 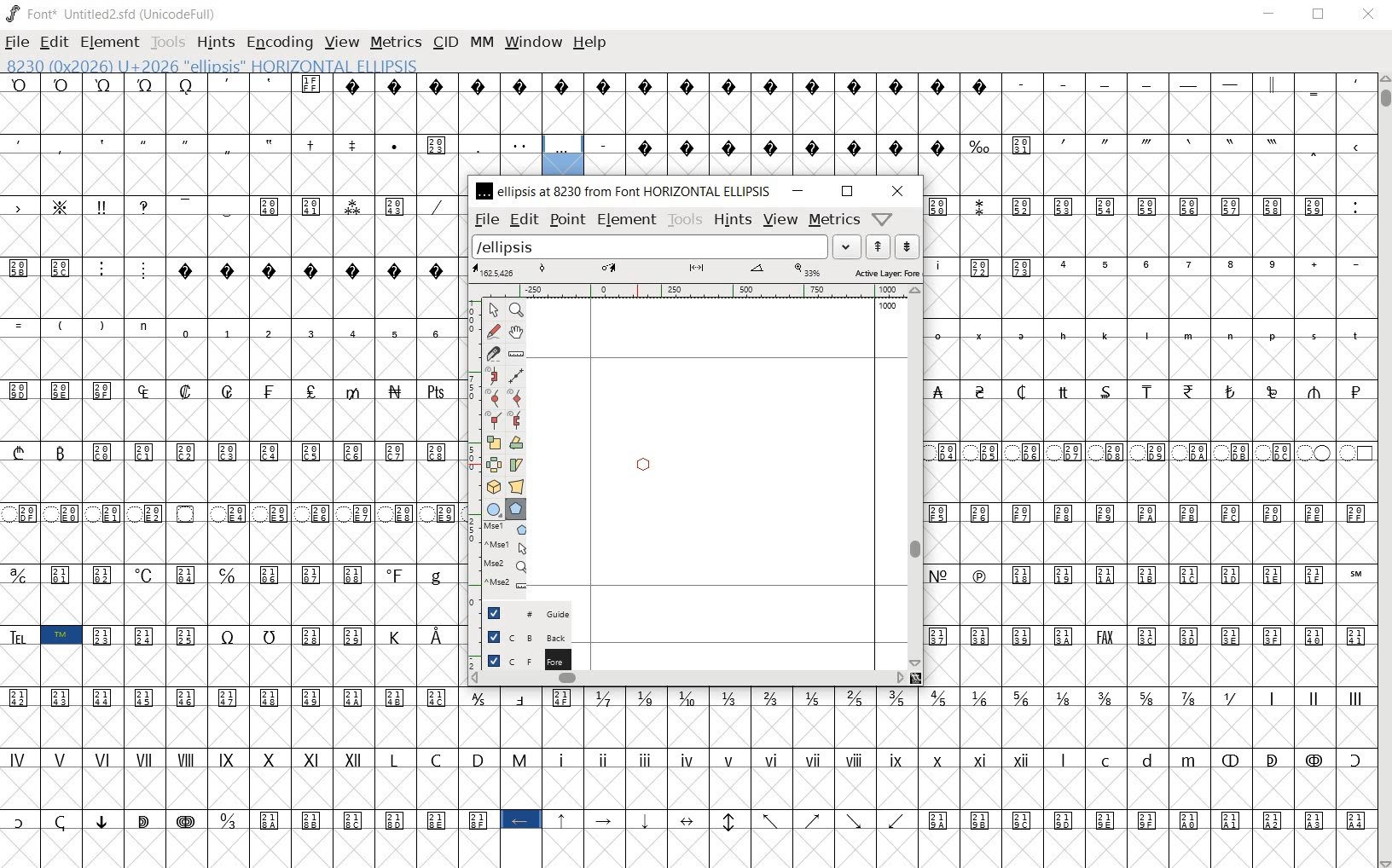 What do you see at coordinates (566, 220) in the screenshot?
I see `point` at bounding box center [566, 220].